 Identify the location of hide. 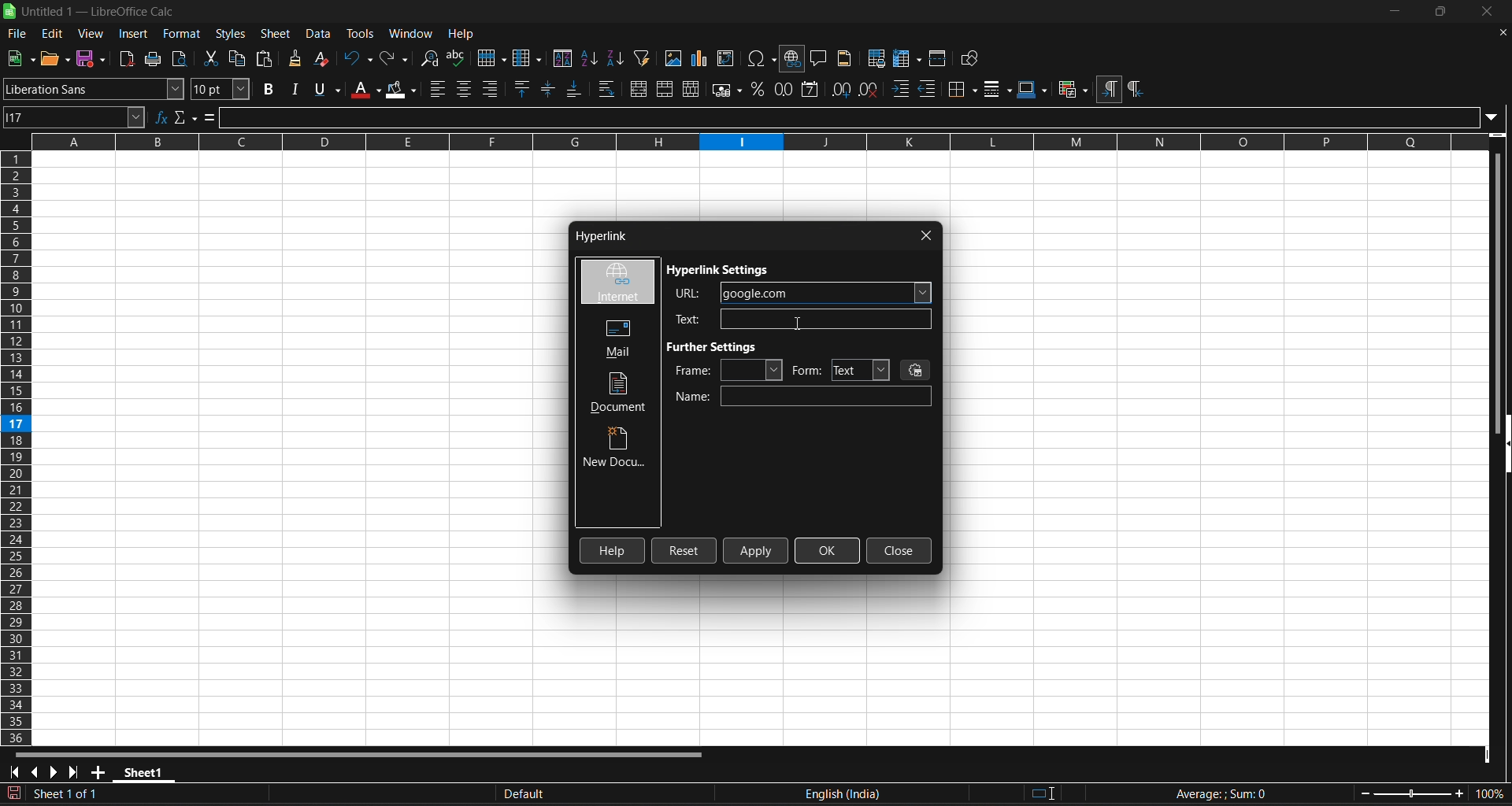
(1503, 446).